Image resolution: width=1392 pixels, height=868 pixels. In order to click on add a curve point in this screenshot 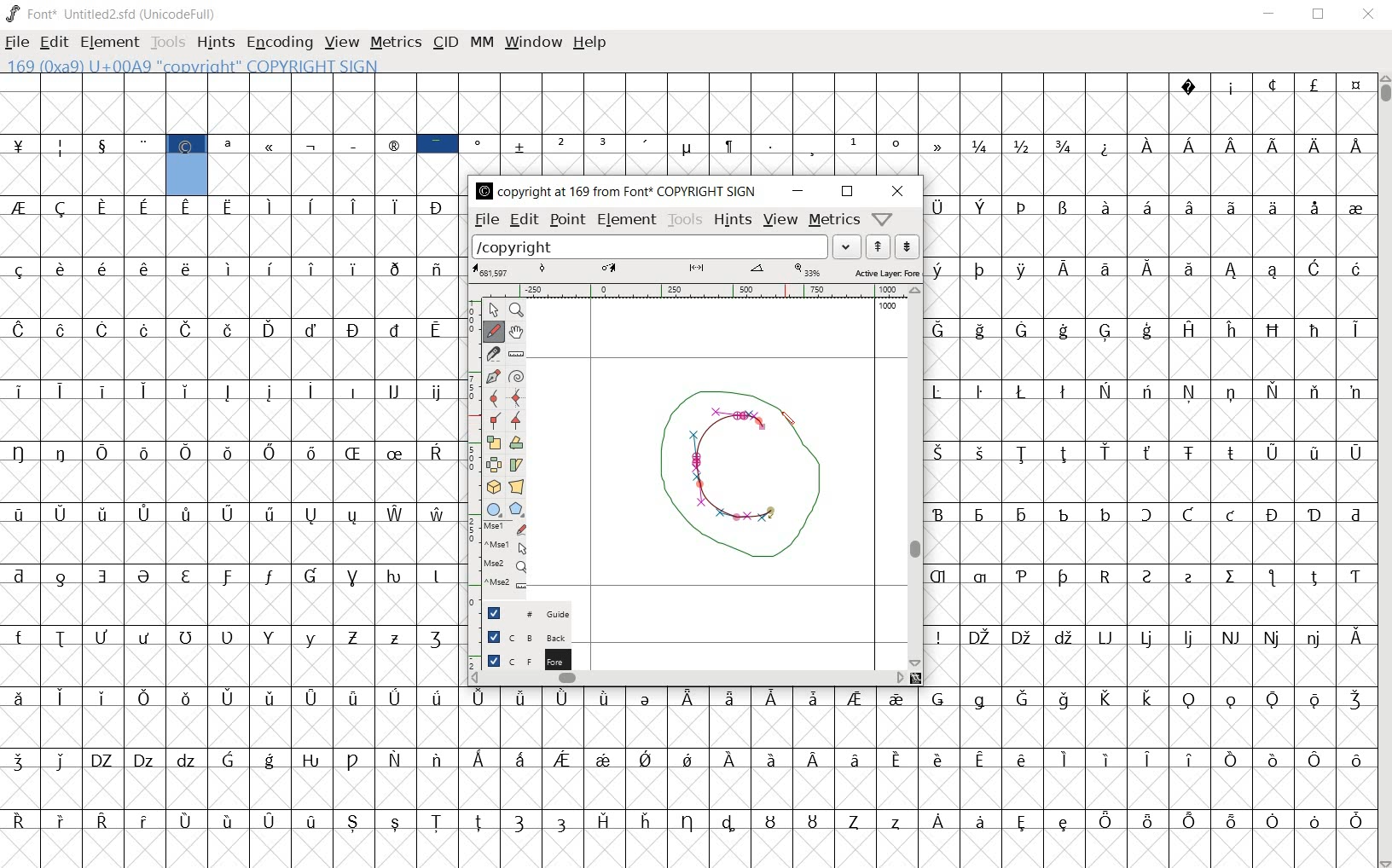, I will do `click(495, 397)`.